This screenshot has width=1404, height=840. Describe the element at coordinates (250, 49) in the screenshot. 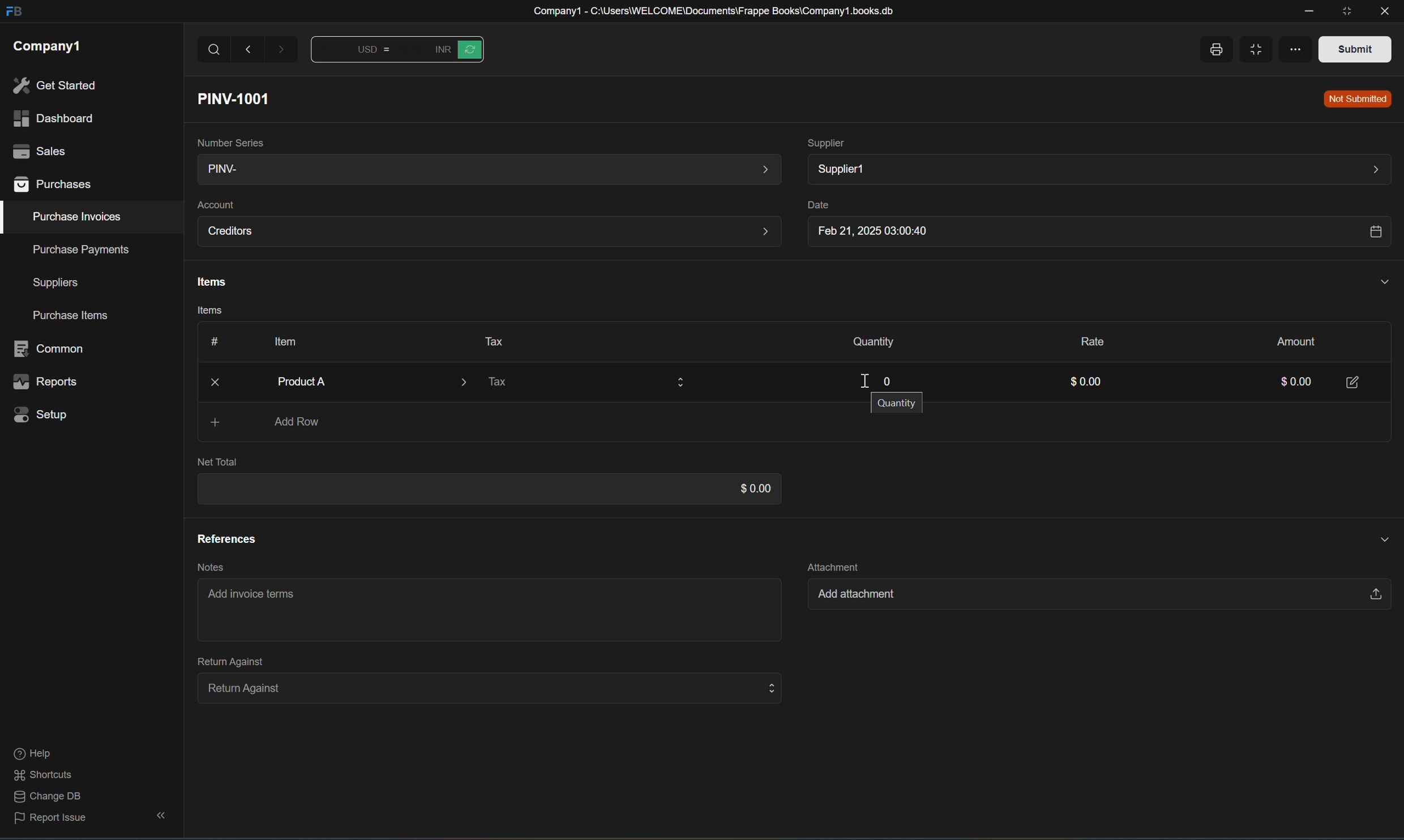

I see `Back` at that location.